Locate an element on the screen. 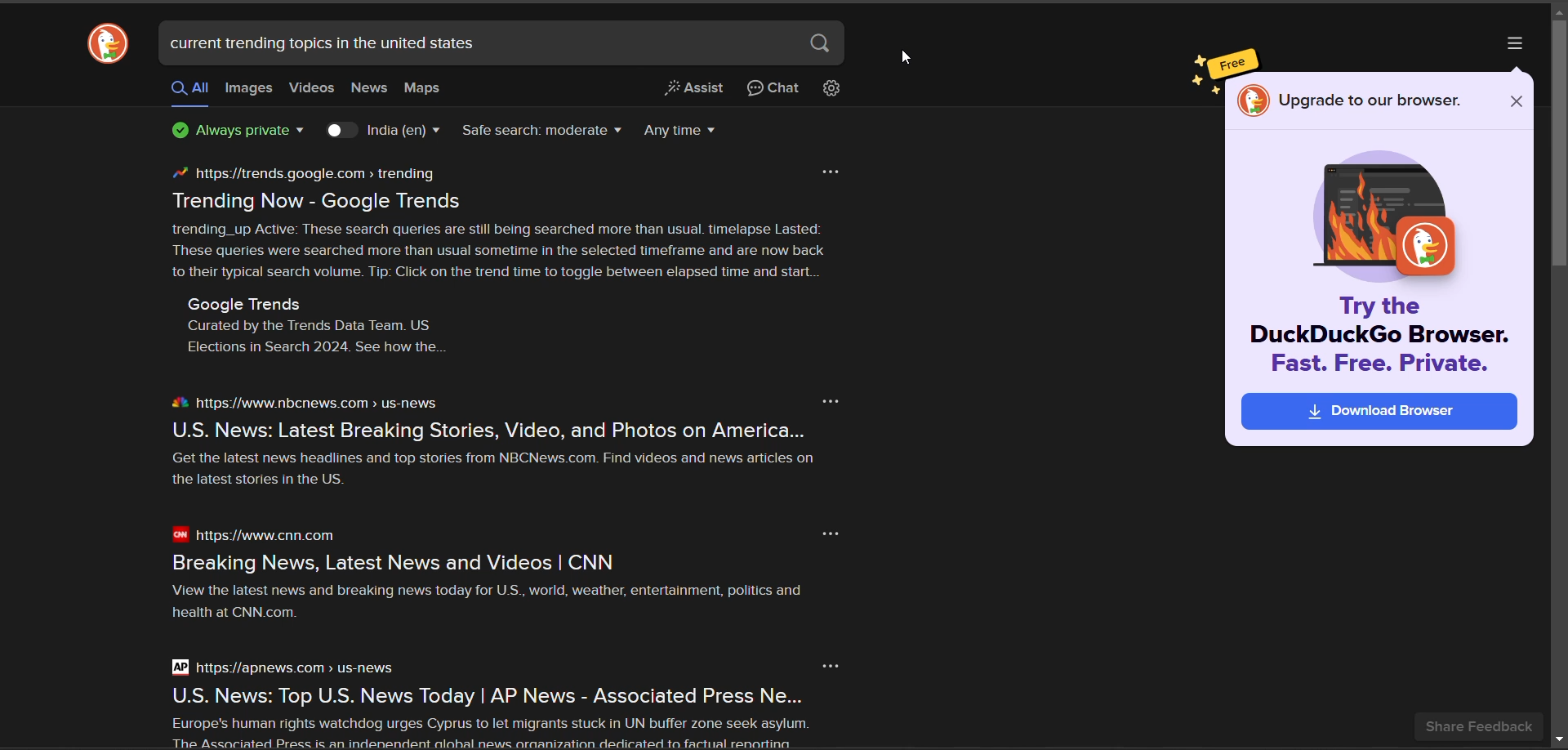  images is located at coordinates (248, 88).